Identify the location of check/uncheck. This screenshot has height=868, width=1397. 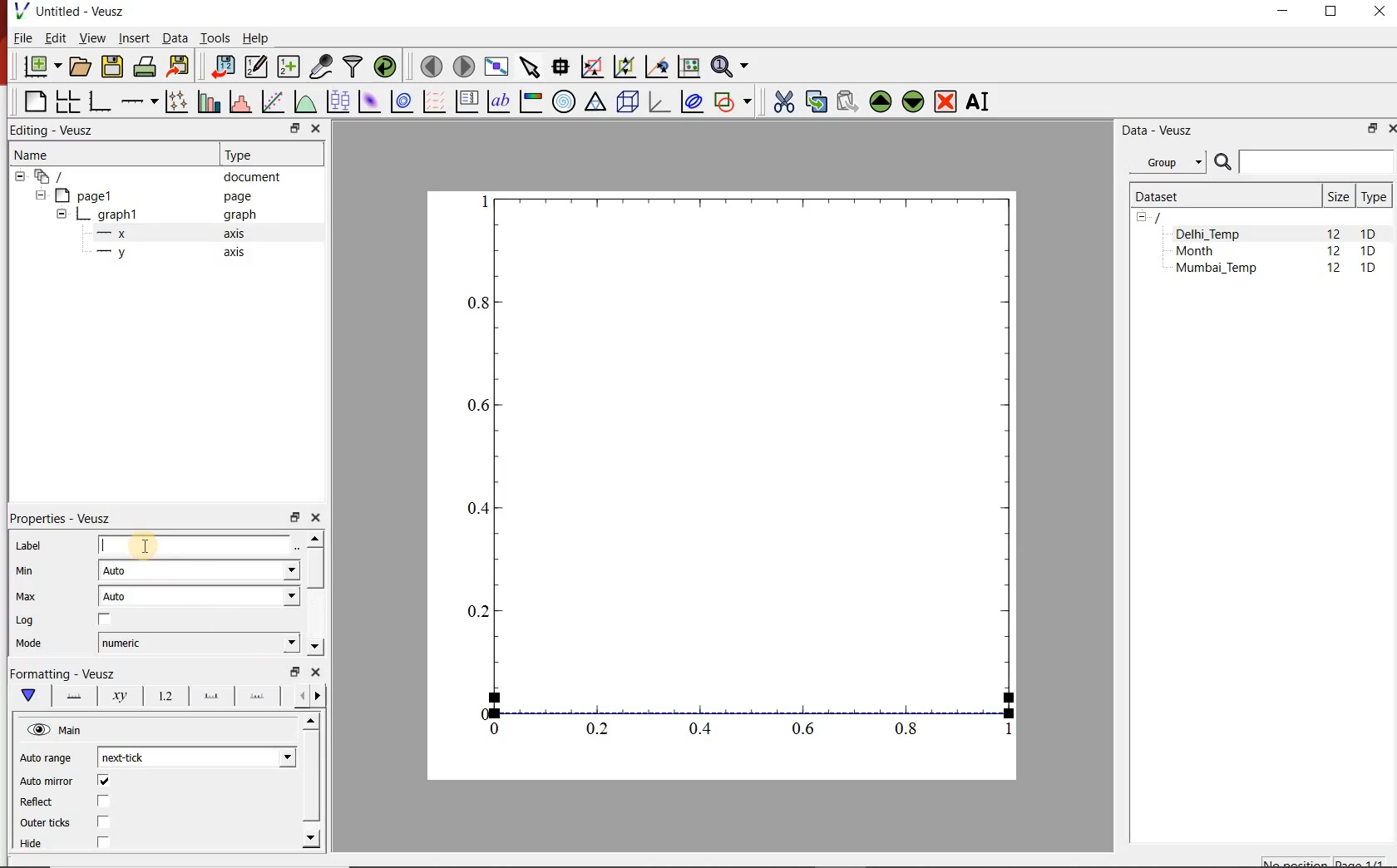
(102, 844).